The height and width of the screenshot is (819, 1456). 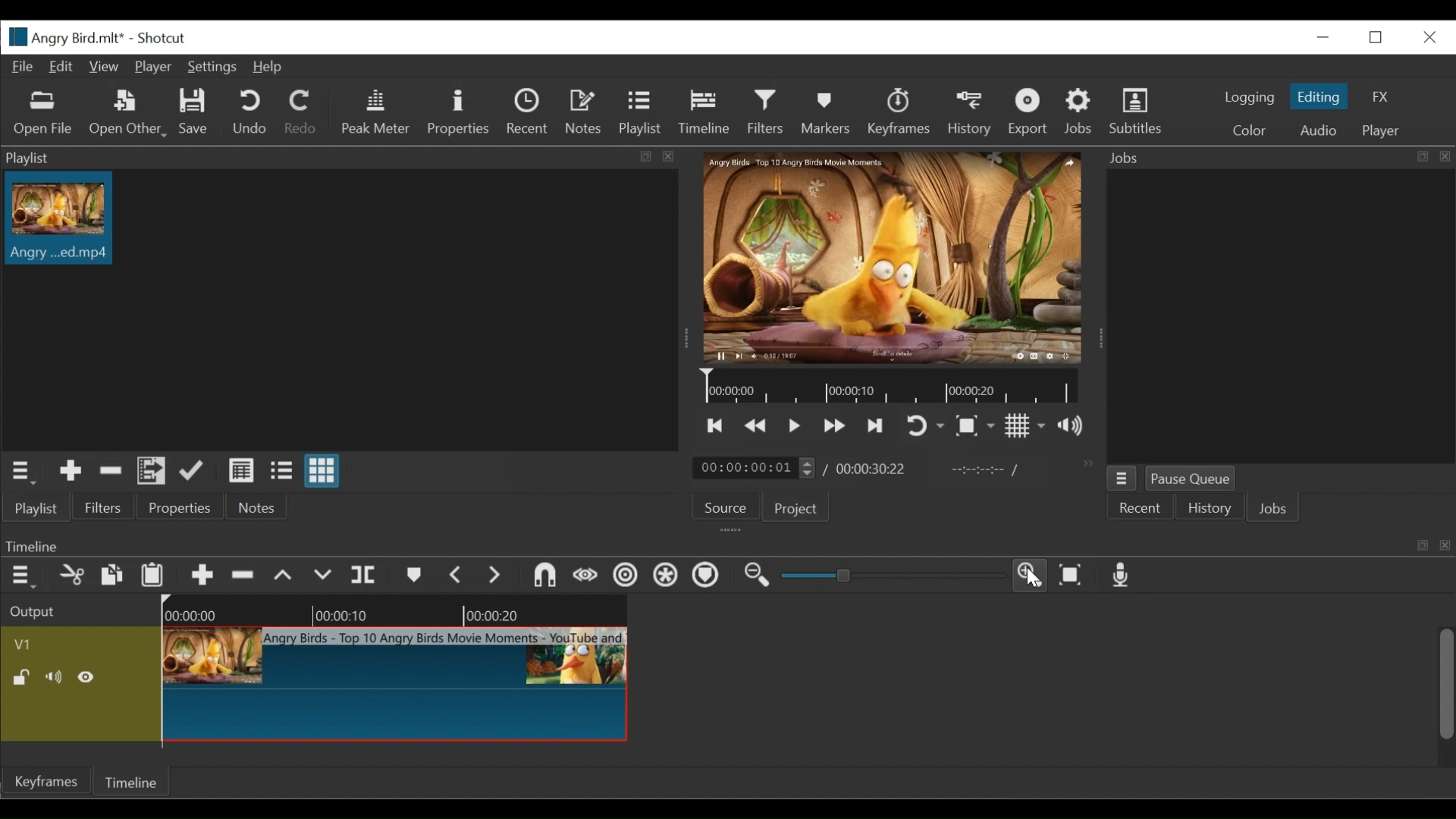 What do you see at coordinates (1247, 98) in the screenshot?
I see `logging` at bounding box center [1247, 98].